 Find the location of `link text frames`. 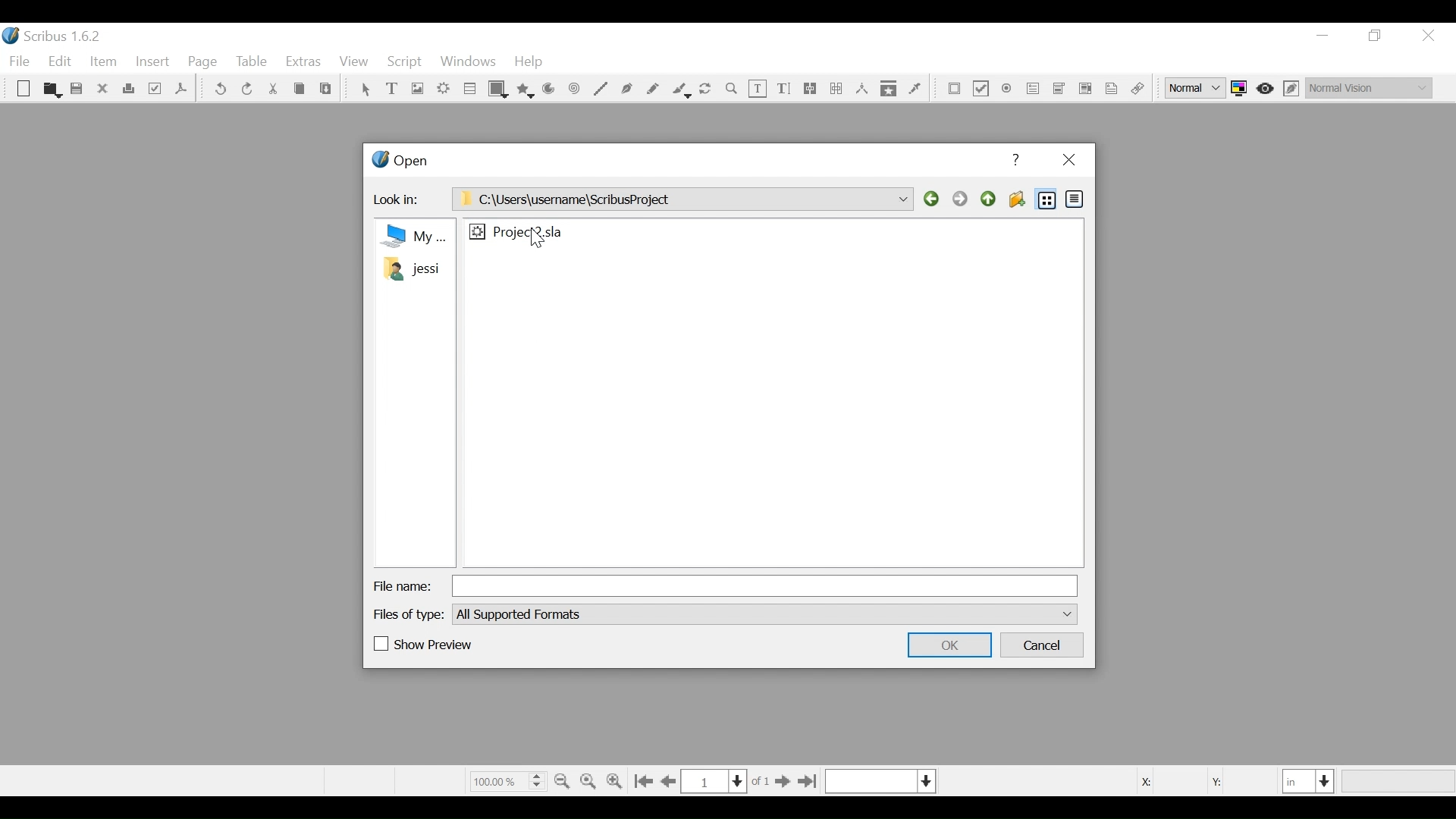

link text frames is located at coordinates (811, 89).